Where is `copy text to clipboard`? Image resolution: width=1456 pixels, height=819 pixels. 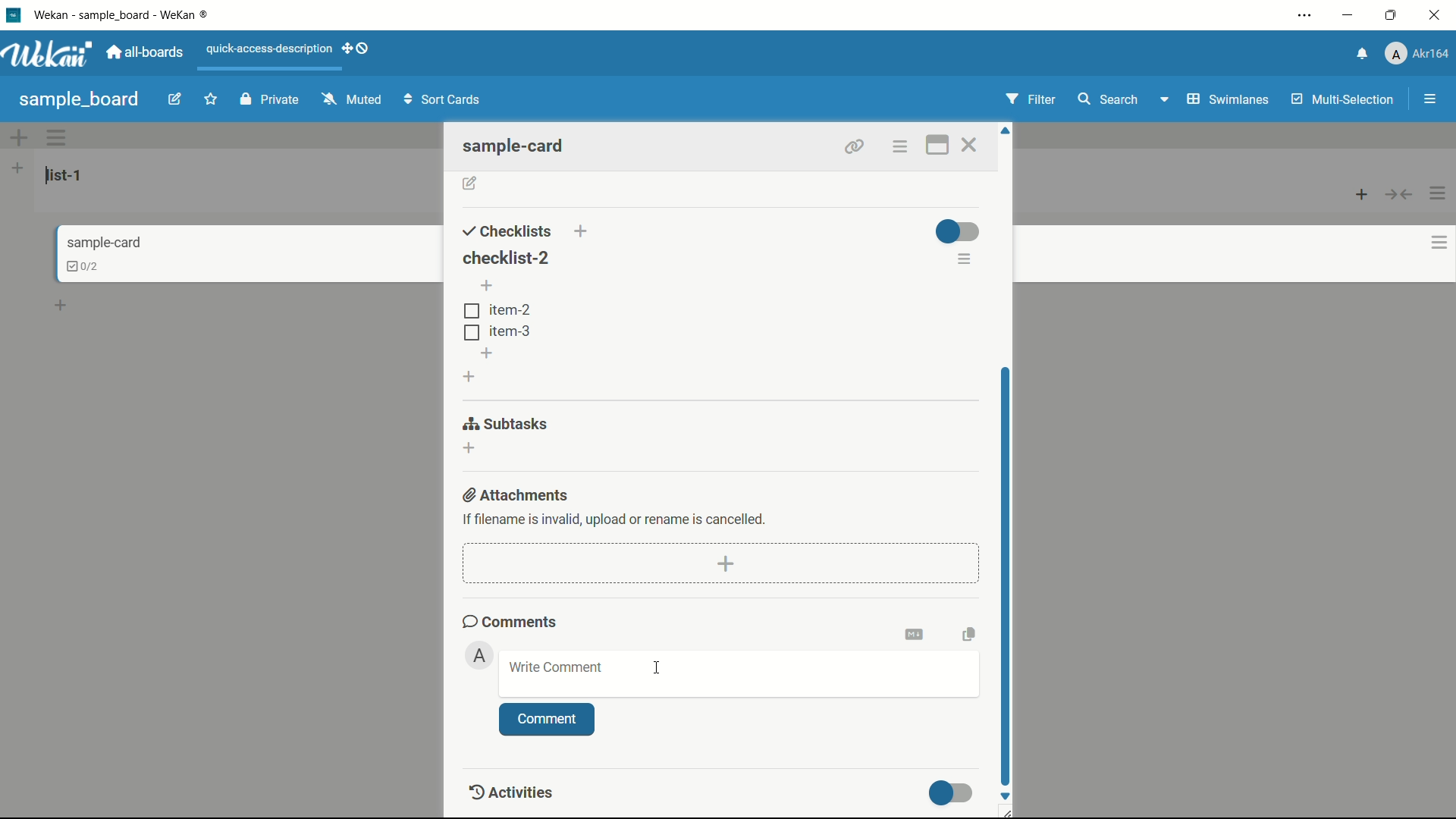 copy text to clipboard is located at coordinates (968, 632).